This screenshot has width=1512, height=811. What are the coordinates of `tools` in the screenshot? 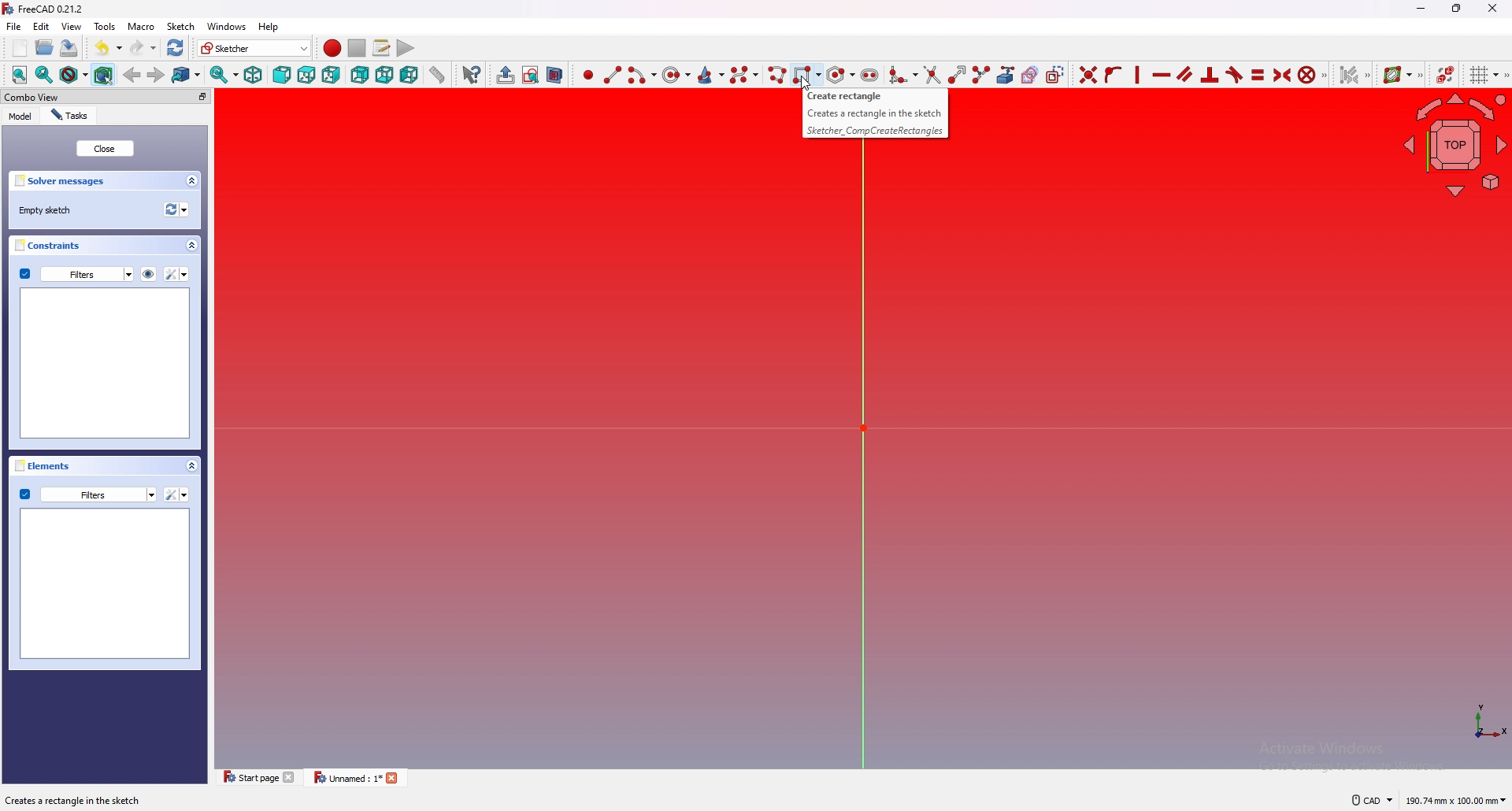 It's located at (105, 26).